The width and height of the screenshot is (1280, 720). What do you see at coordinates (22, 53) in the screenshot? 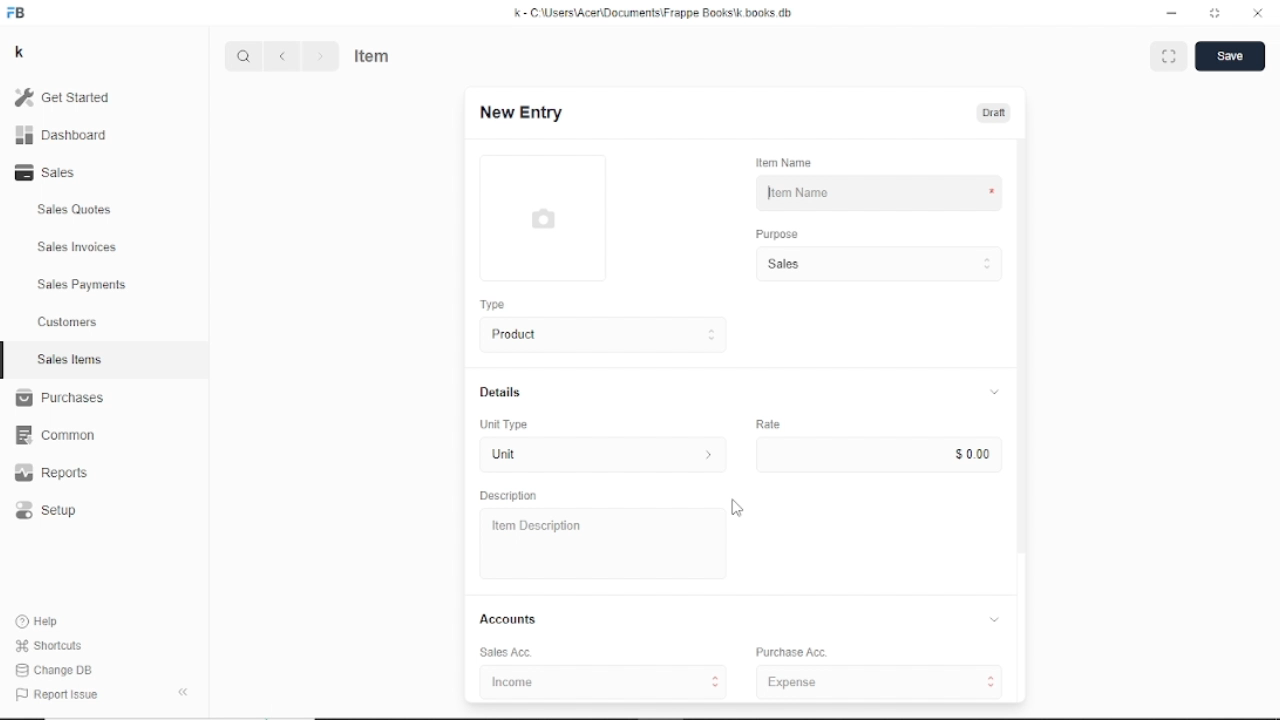
I see `k` at bounding box center [22, 53].